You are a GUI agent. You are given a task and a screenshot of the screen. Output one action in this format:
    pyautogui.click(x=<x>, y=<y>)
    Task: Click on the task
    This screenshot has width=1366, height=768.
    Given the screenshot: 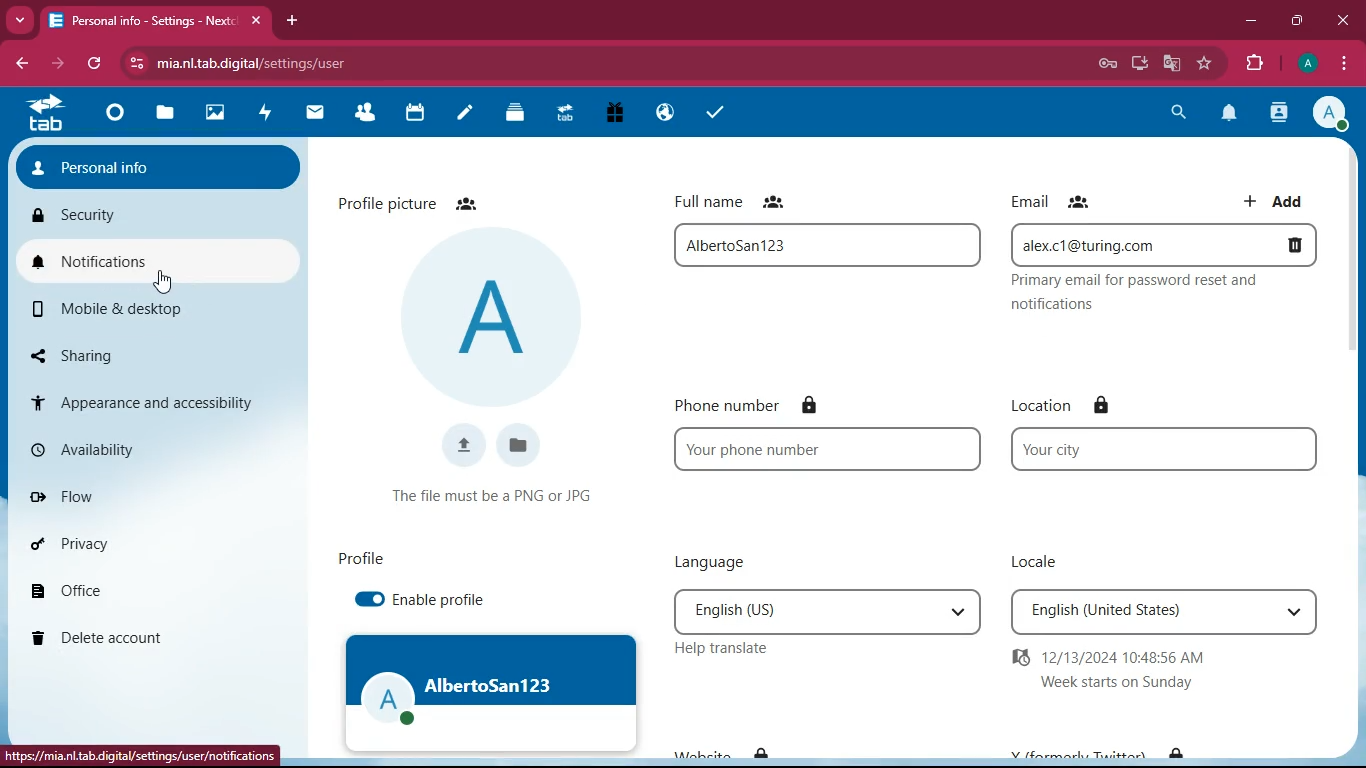 What is the action you would take?
    pyautogui.click(x=720, y=115)
    